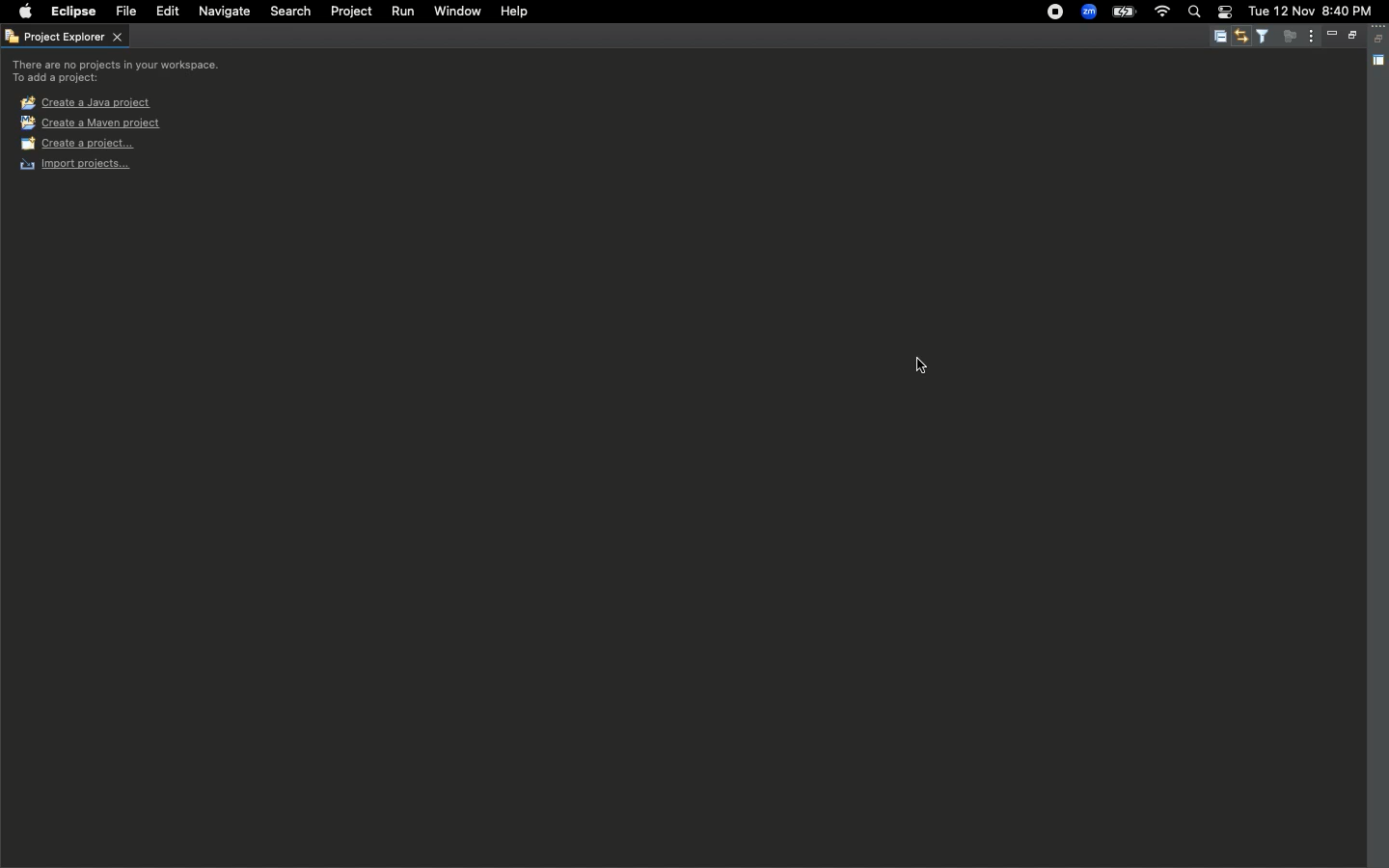 This screenshot has height=868, width=1389. I want to click on Minimize, so click(1331, 34).